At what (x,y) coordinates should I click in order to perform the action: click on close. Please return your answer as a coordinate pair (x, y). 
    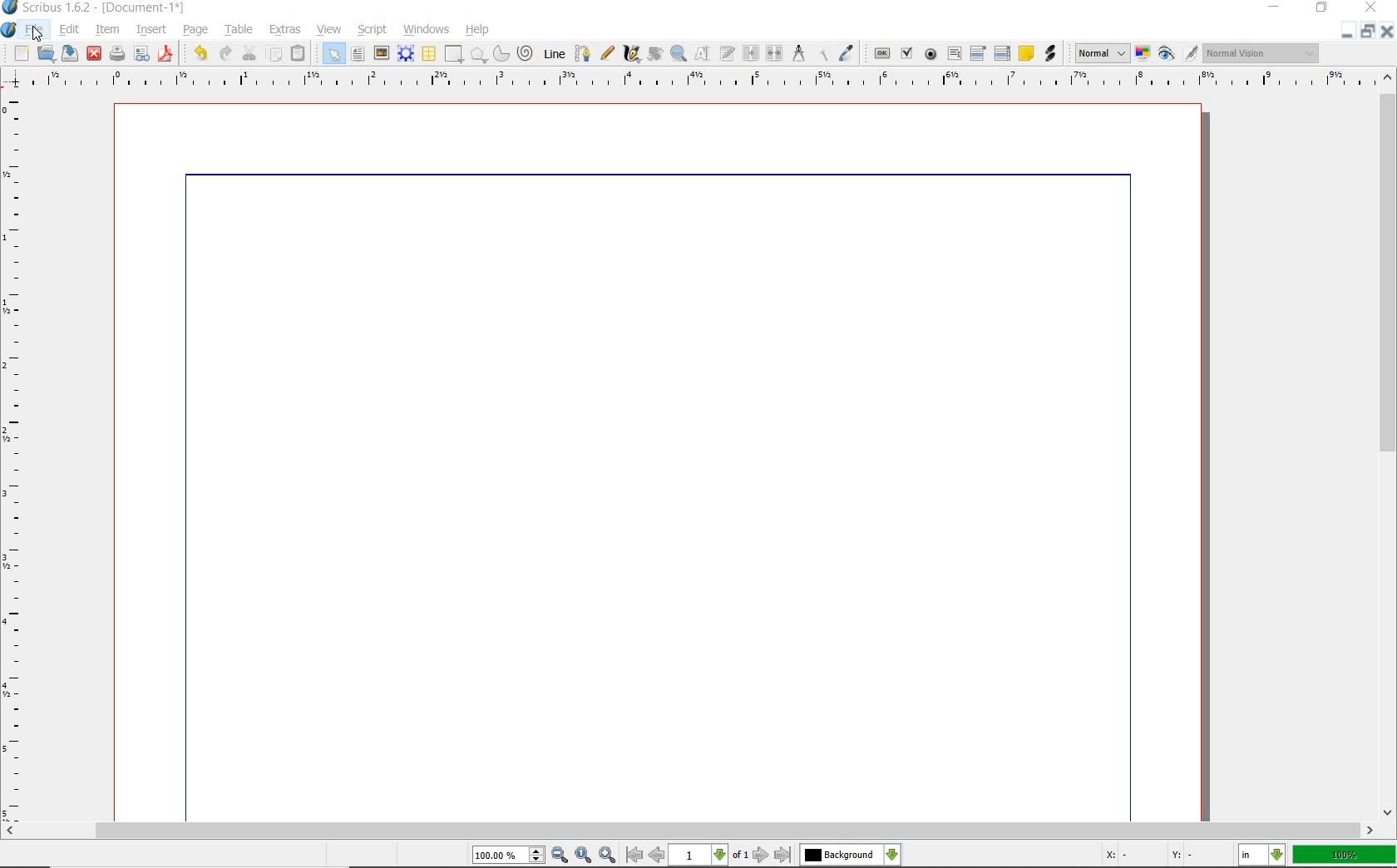
    Looking at the image, I should click on (1371, 7).